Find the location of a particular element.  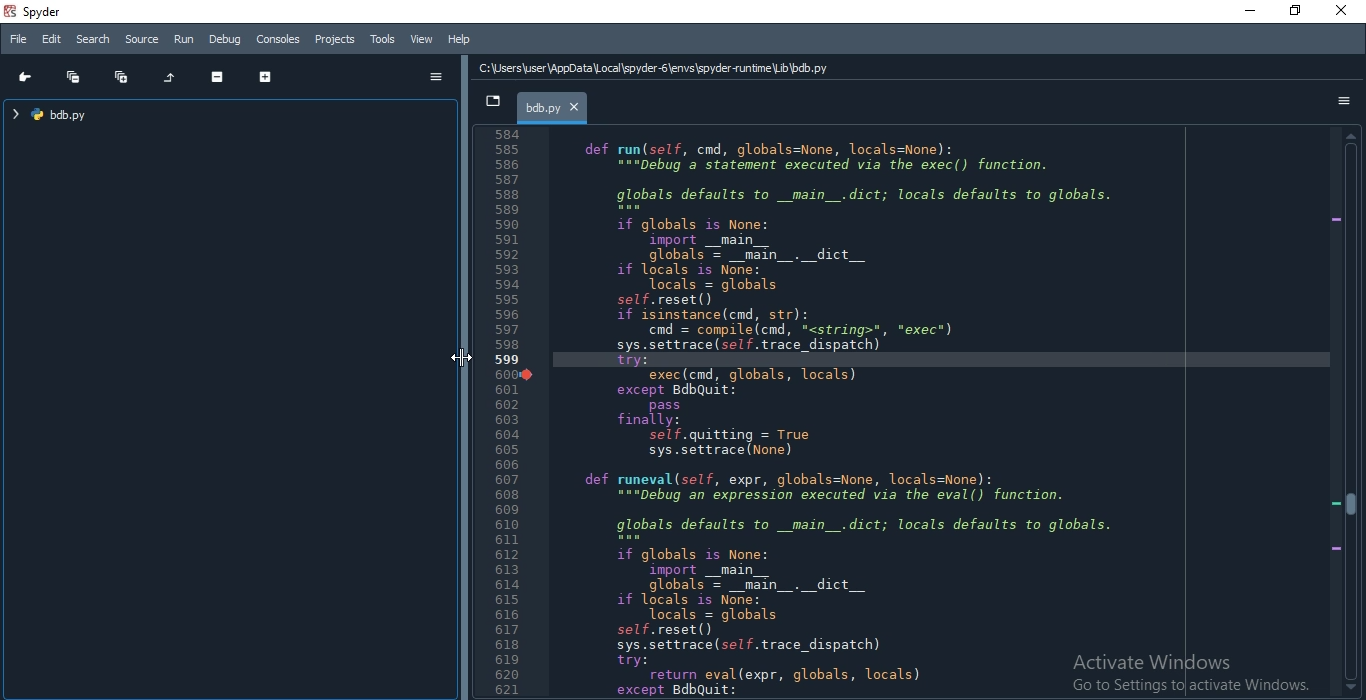

Help is located at coordinates (458, 40).